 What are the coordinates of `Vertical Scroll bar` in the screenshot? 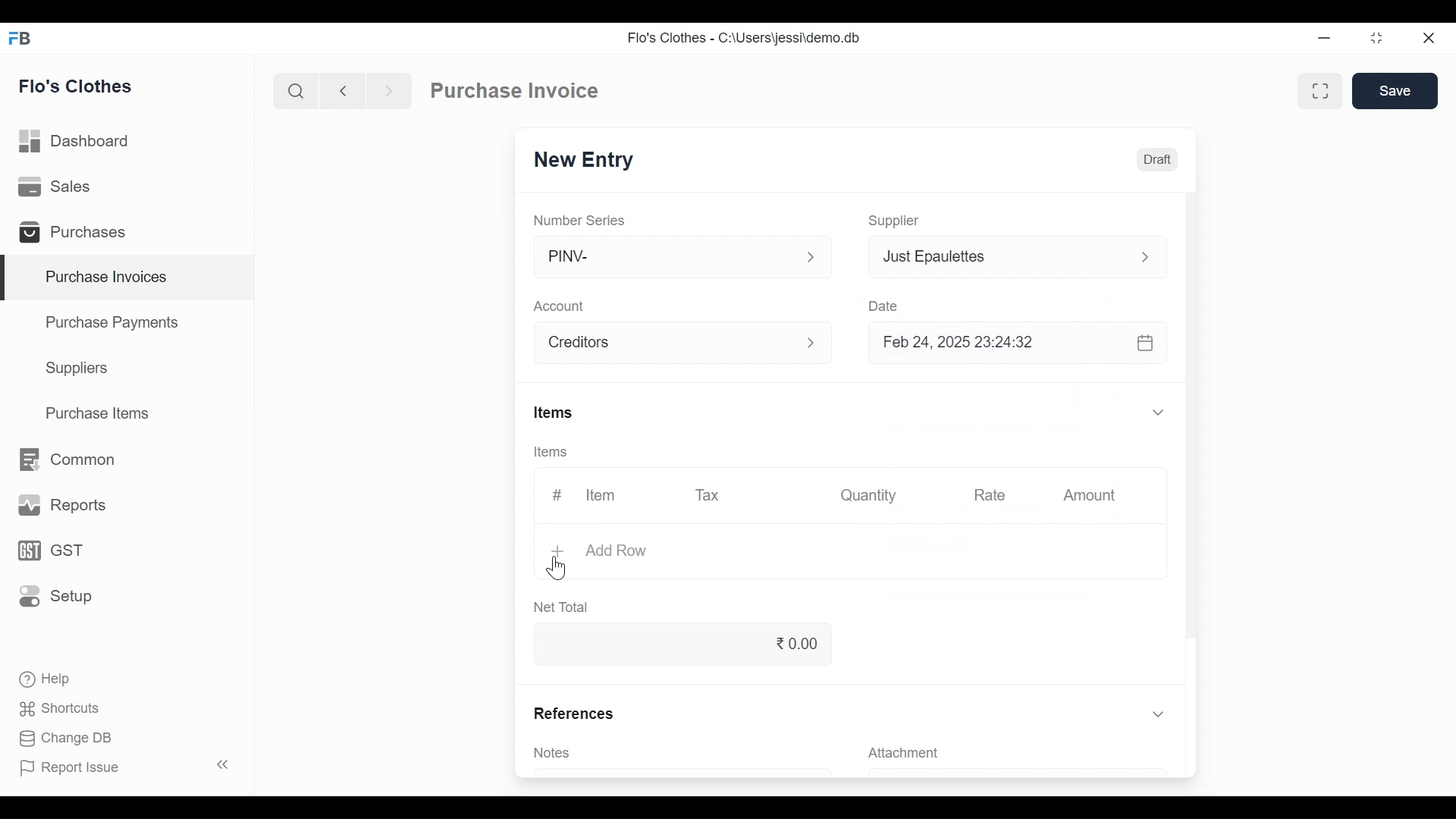 It's located at (1197, 416).